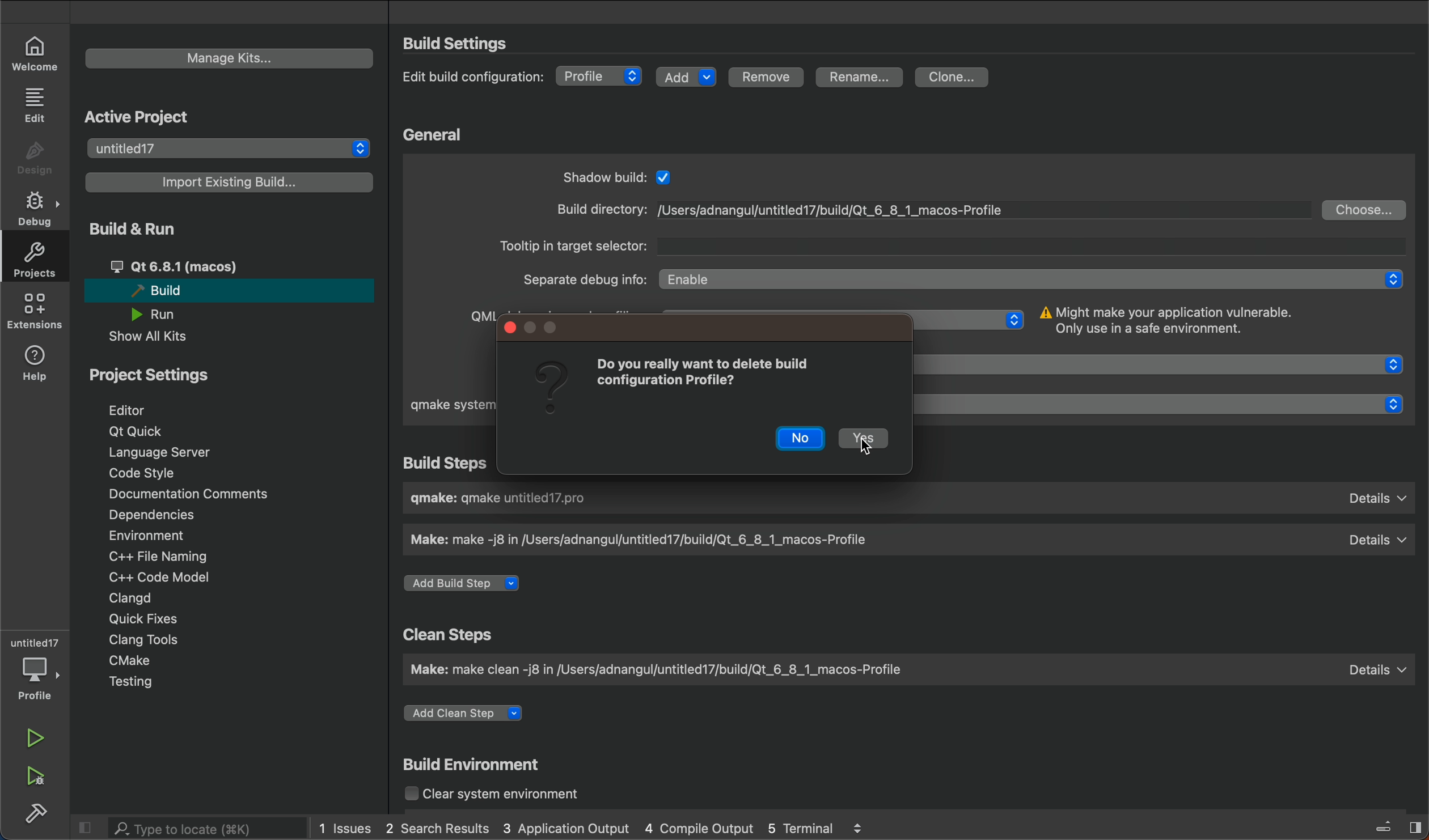 Image resolution: width=1429 pixels, height=840 pixels. Describe the element at coordinates (501, 500) in the screenshot. I see `build name` at that location.